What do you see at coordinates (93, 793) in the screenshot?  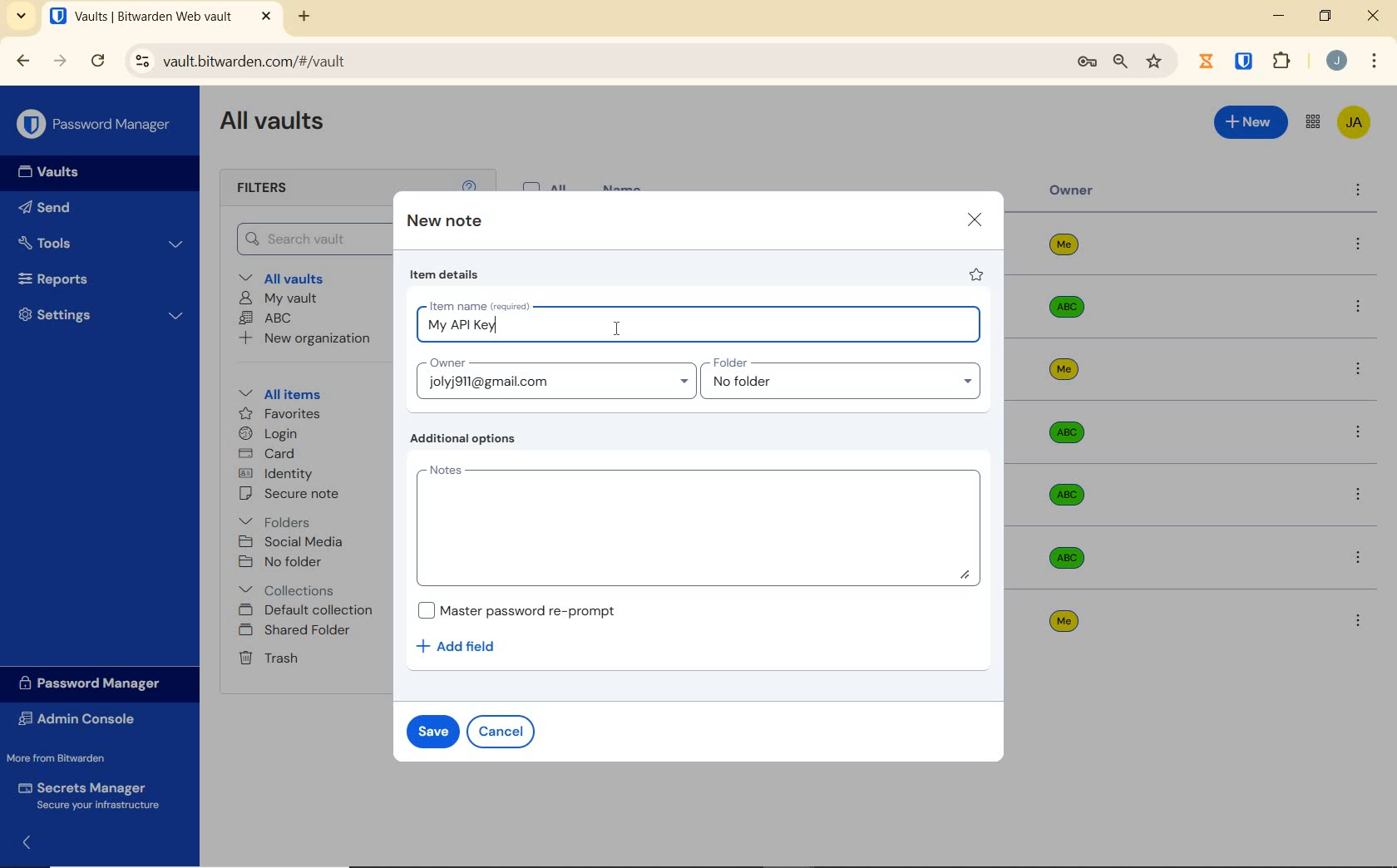 I see `Secrets Manager` at bounding box center [93, 793].